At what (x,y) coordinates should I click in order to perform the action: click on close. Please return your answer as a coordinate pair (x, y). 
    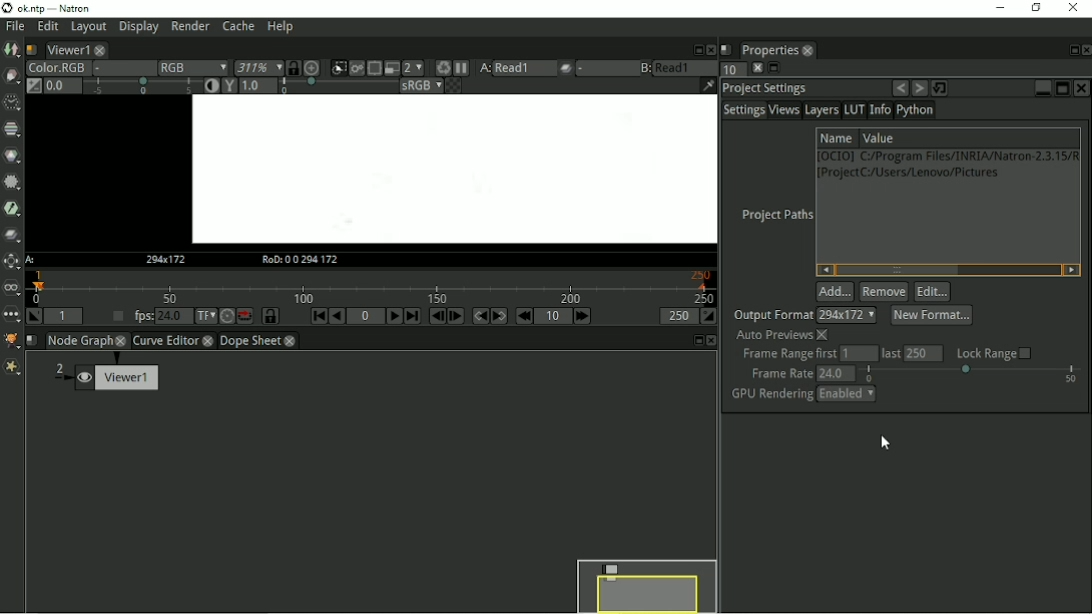
    Looking at the image, I should click on (98, 50).